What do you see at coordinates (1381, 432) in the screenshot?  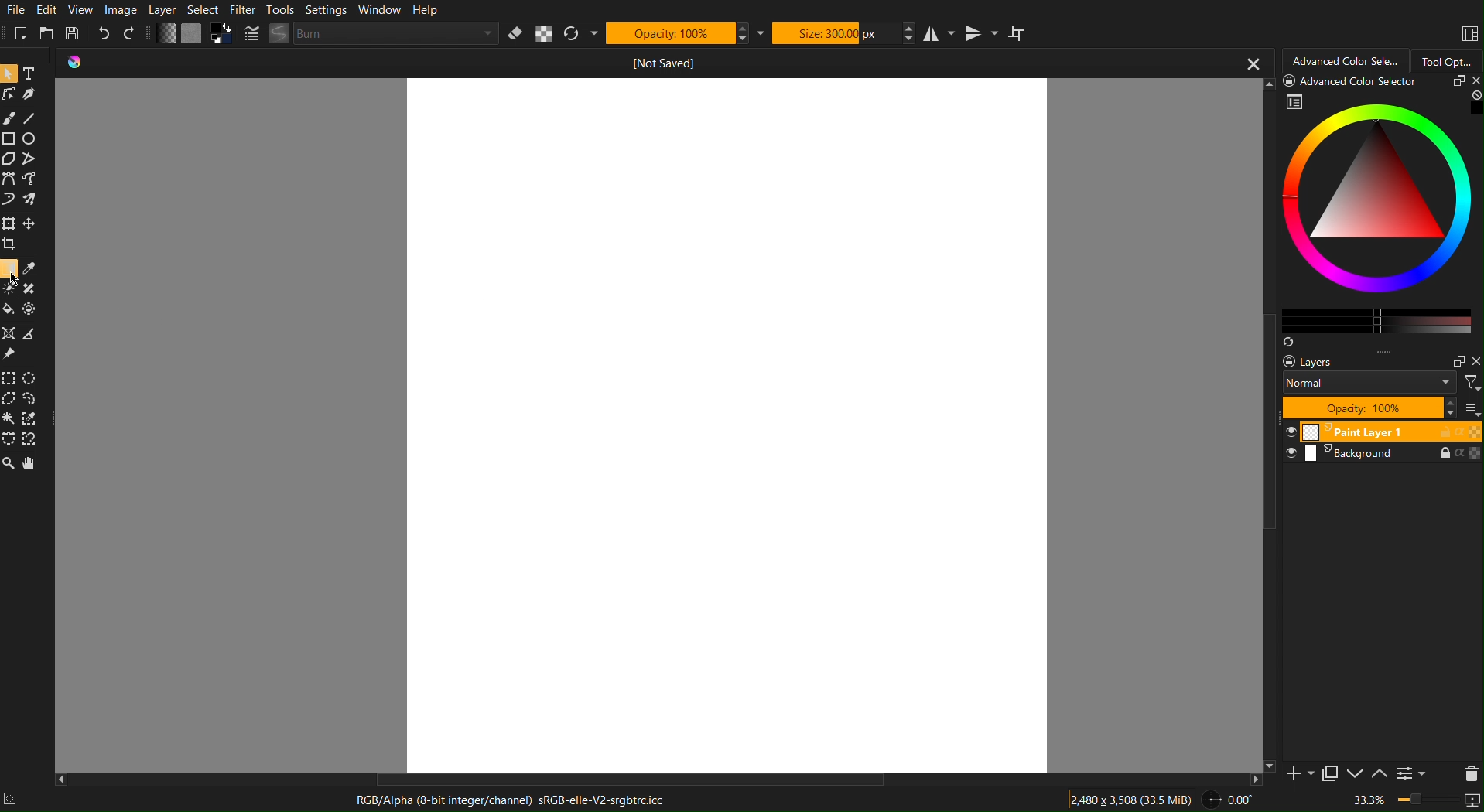 I see `Layer 1` at bounding box center [1381, 432].